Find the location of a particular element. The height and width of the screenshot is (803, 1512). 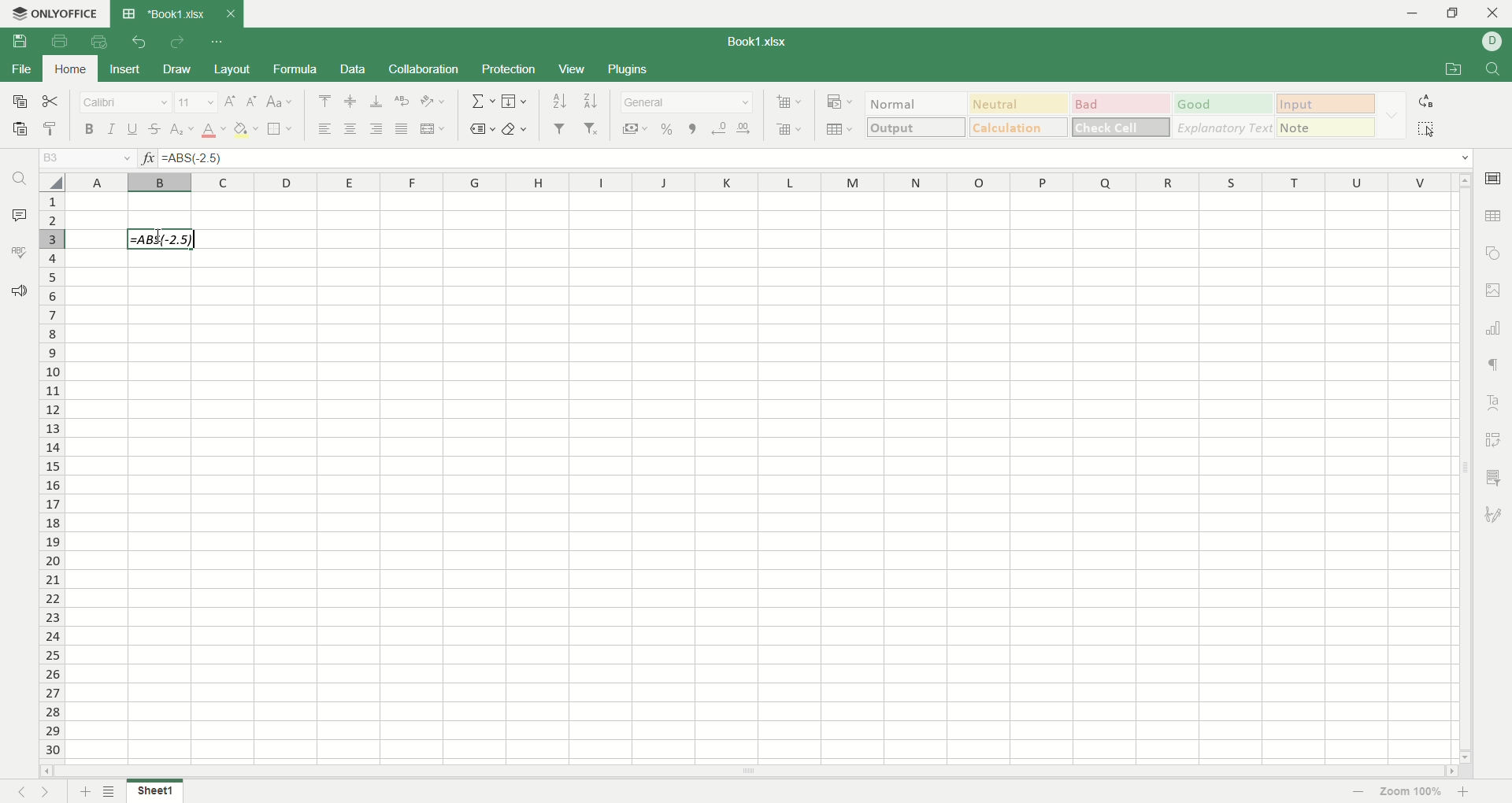

comment is located at coordinates (15, 213).